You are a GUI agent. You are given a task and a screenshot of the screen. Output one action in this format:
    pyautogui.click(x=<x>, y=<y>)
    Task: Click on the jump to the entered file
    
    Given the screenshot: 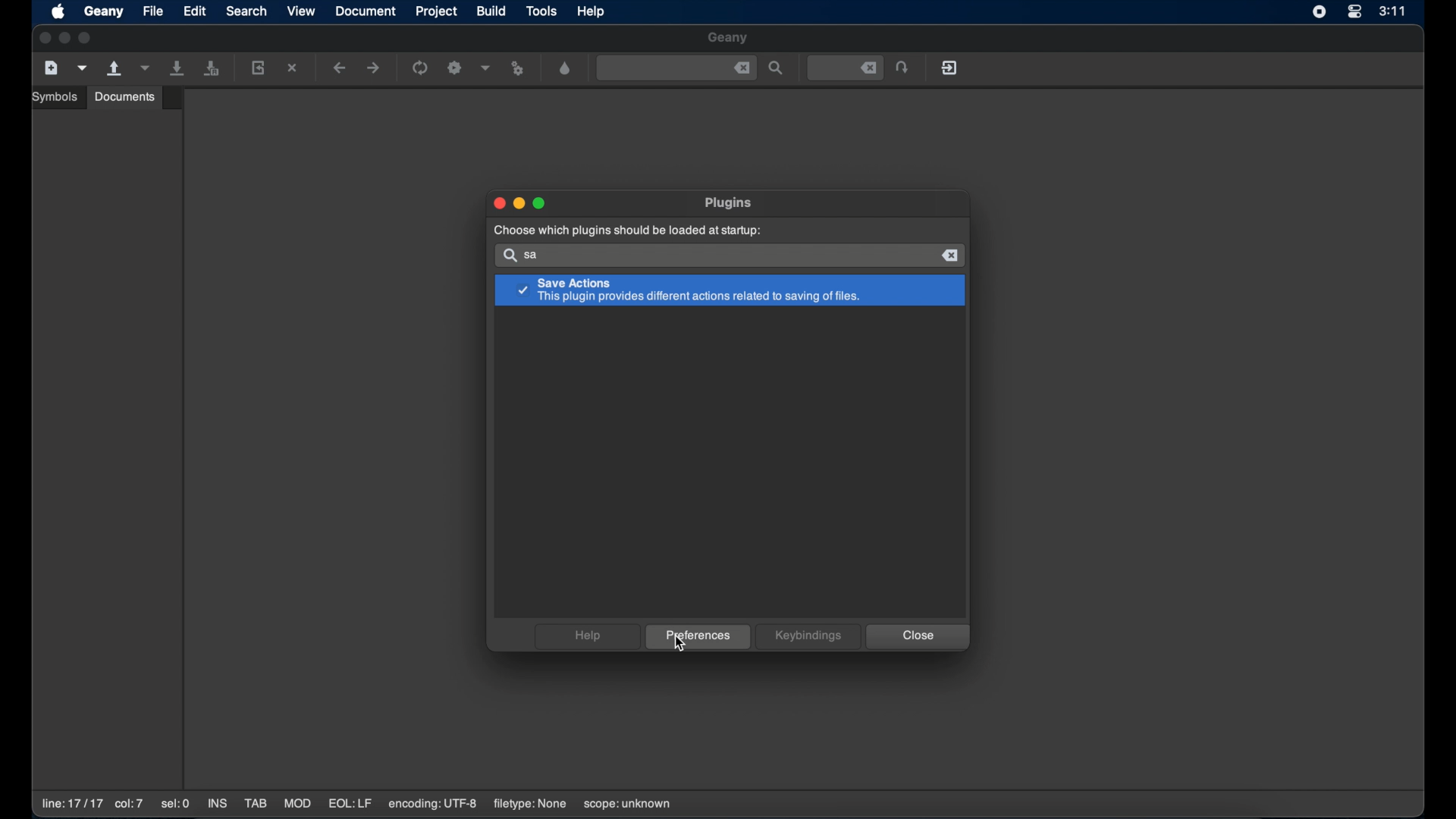 What is the action you would take?
    pyautogui.click(x=846, y=68)
    